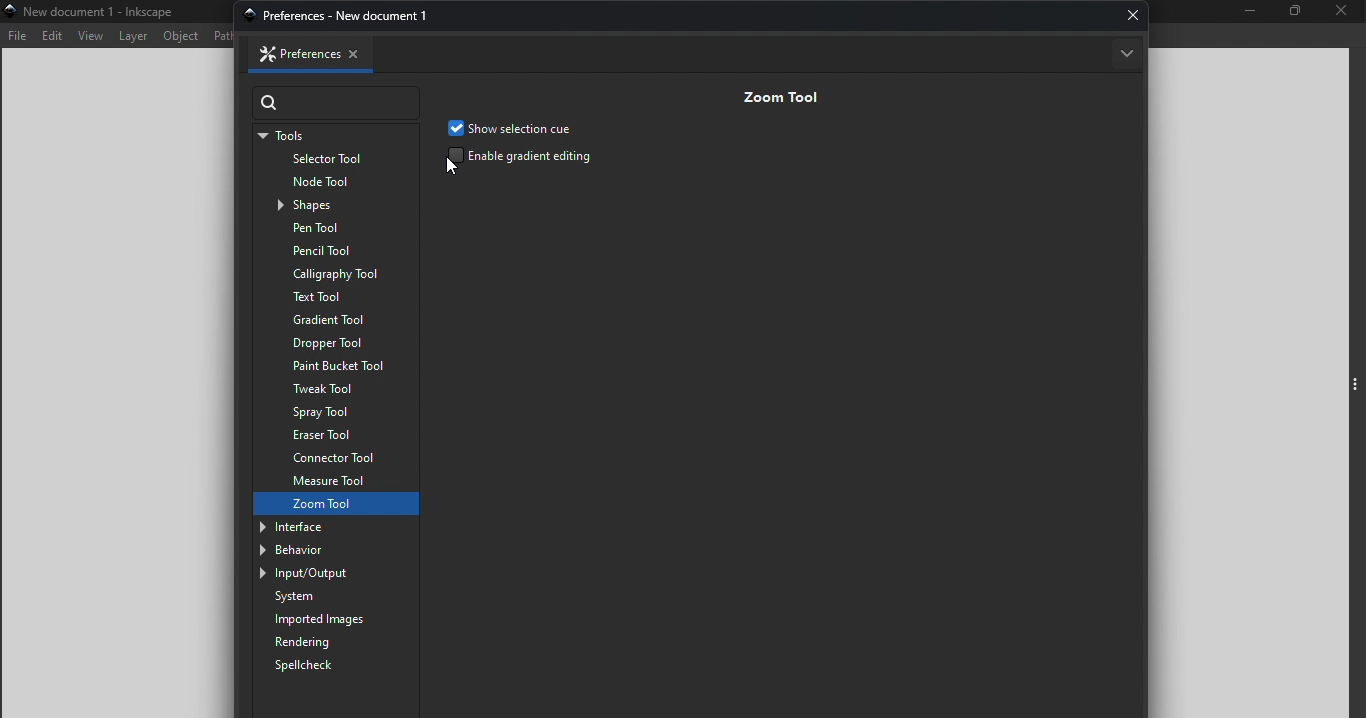  I want to click on app icon, so click(10, 11).